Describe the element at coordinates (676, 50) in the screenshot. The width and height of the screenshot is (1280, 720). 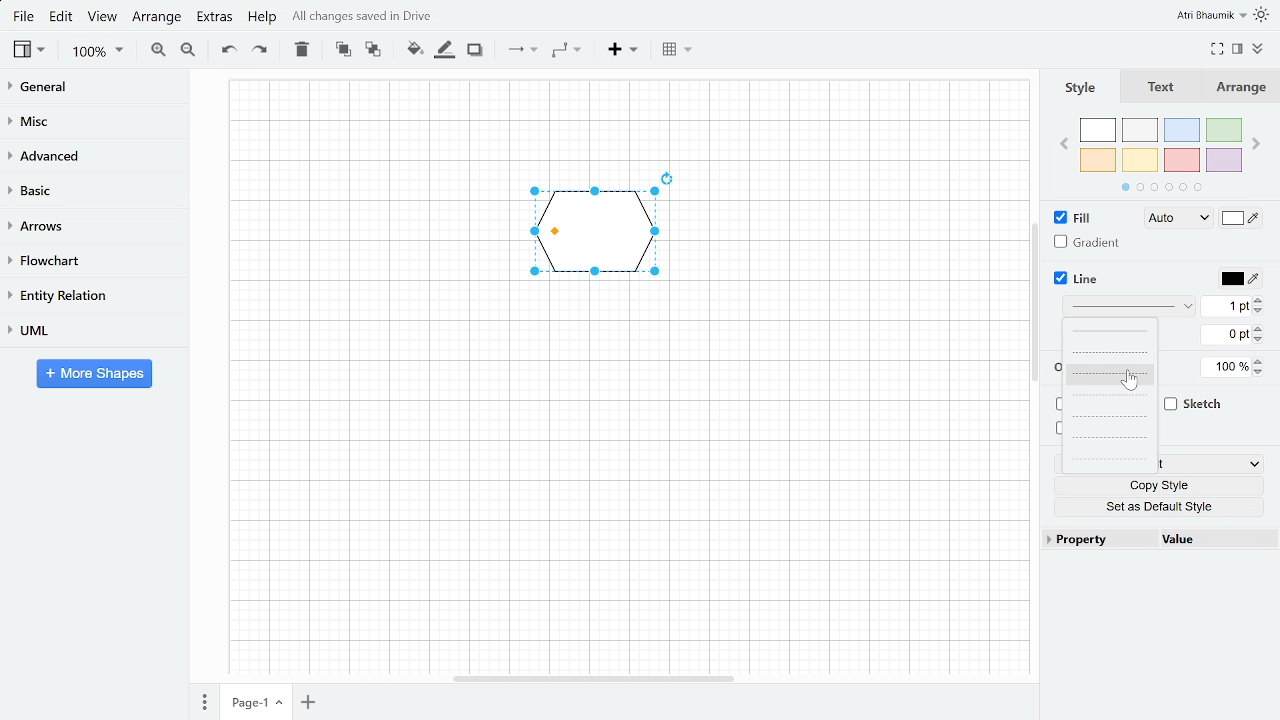
I see `Table` at that location.